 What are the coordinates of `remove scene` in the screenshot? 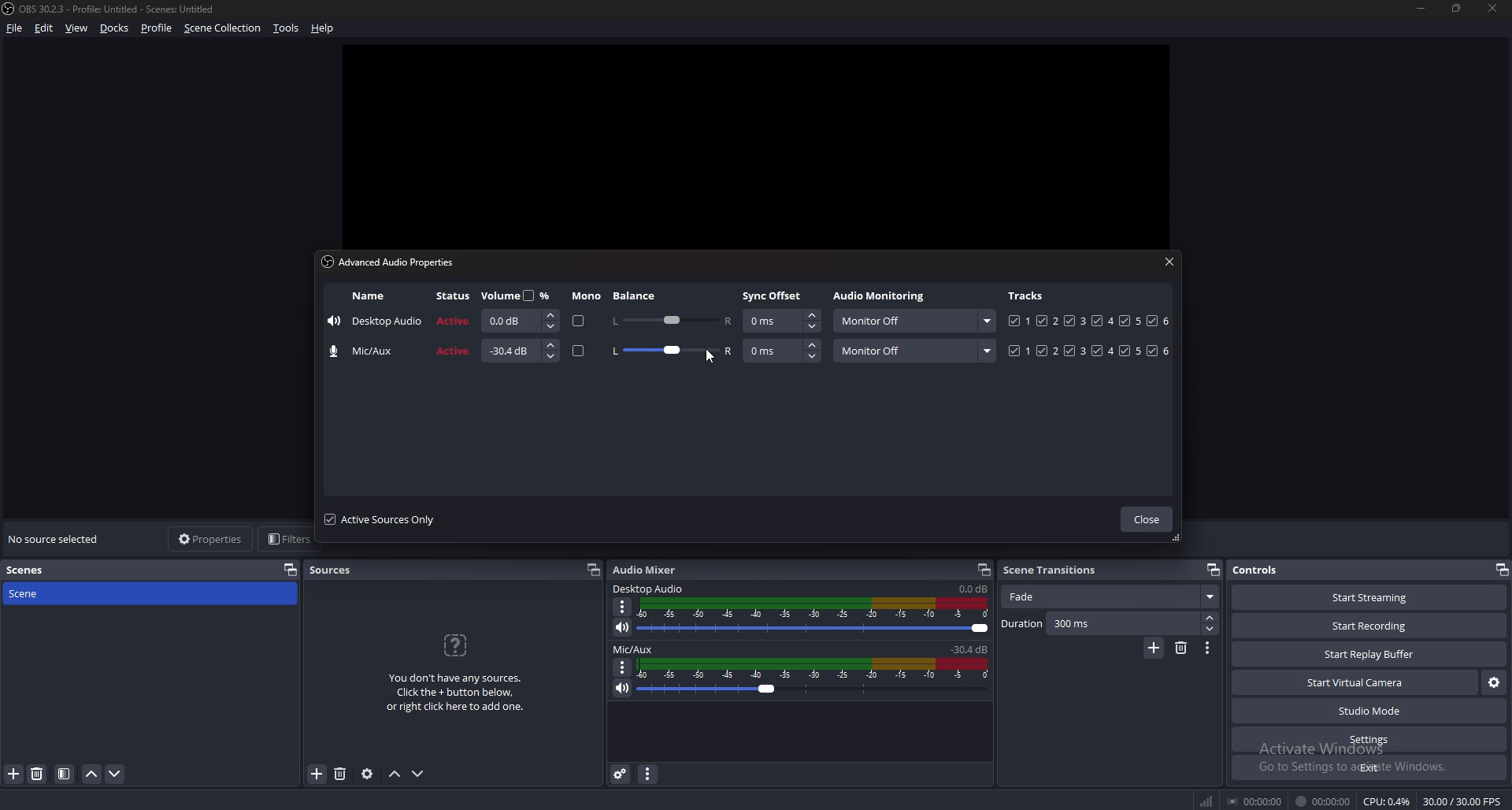 It's located at (38, 775).